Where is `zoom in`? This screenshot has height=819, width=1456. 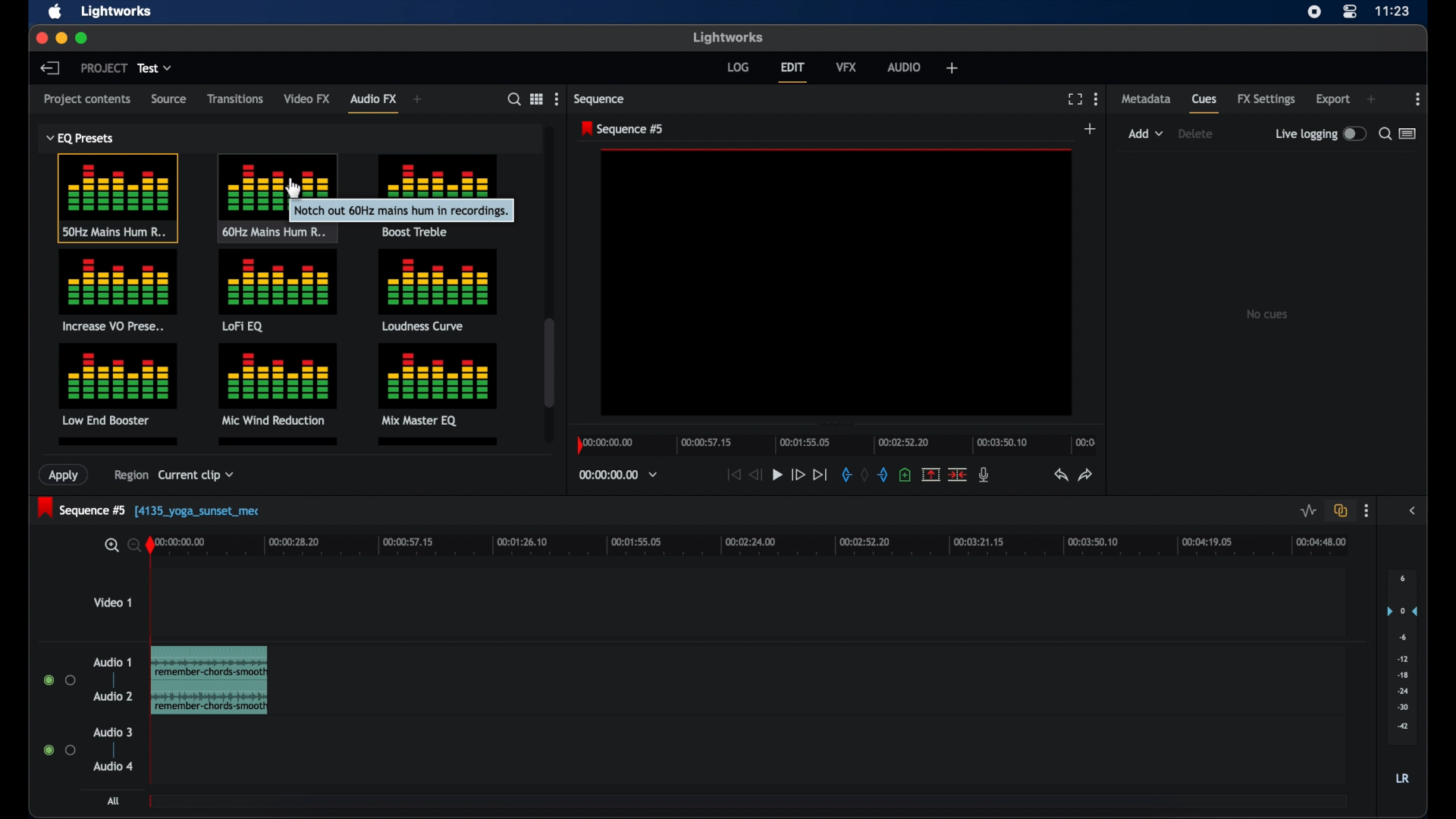
zoom in is located at coordinates (109, 545).